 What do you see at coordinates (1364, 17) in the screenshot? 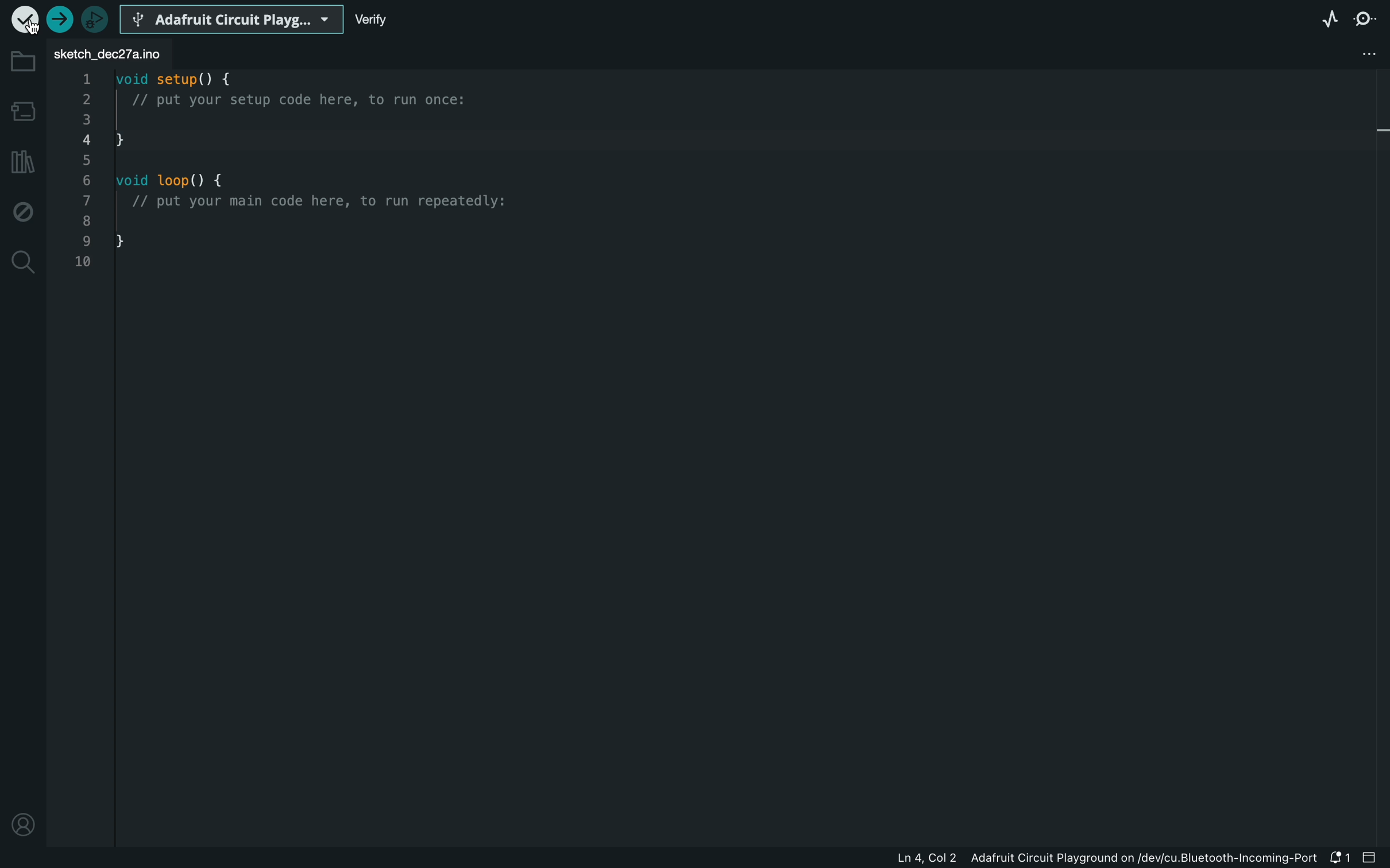
I see `serial monitor` at bounding box center [1364, 17].